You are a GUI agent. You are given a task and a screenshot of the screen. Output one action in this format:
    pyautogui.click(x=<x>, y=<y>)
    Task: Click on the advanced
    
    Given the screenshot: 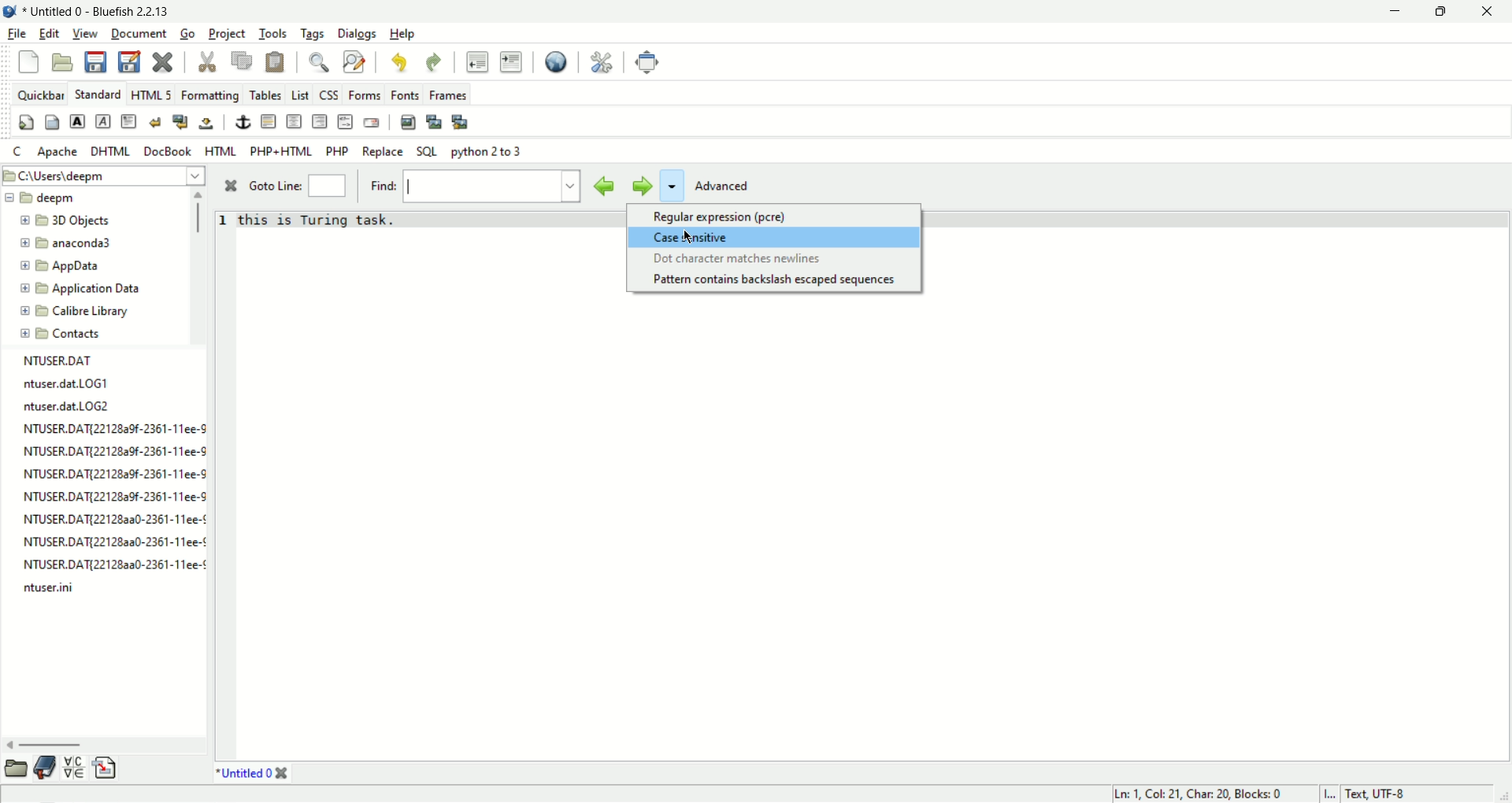 What is the action you would take?
    pyautogui.click(x=728, y=184)
    